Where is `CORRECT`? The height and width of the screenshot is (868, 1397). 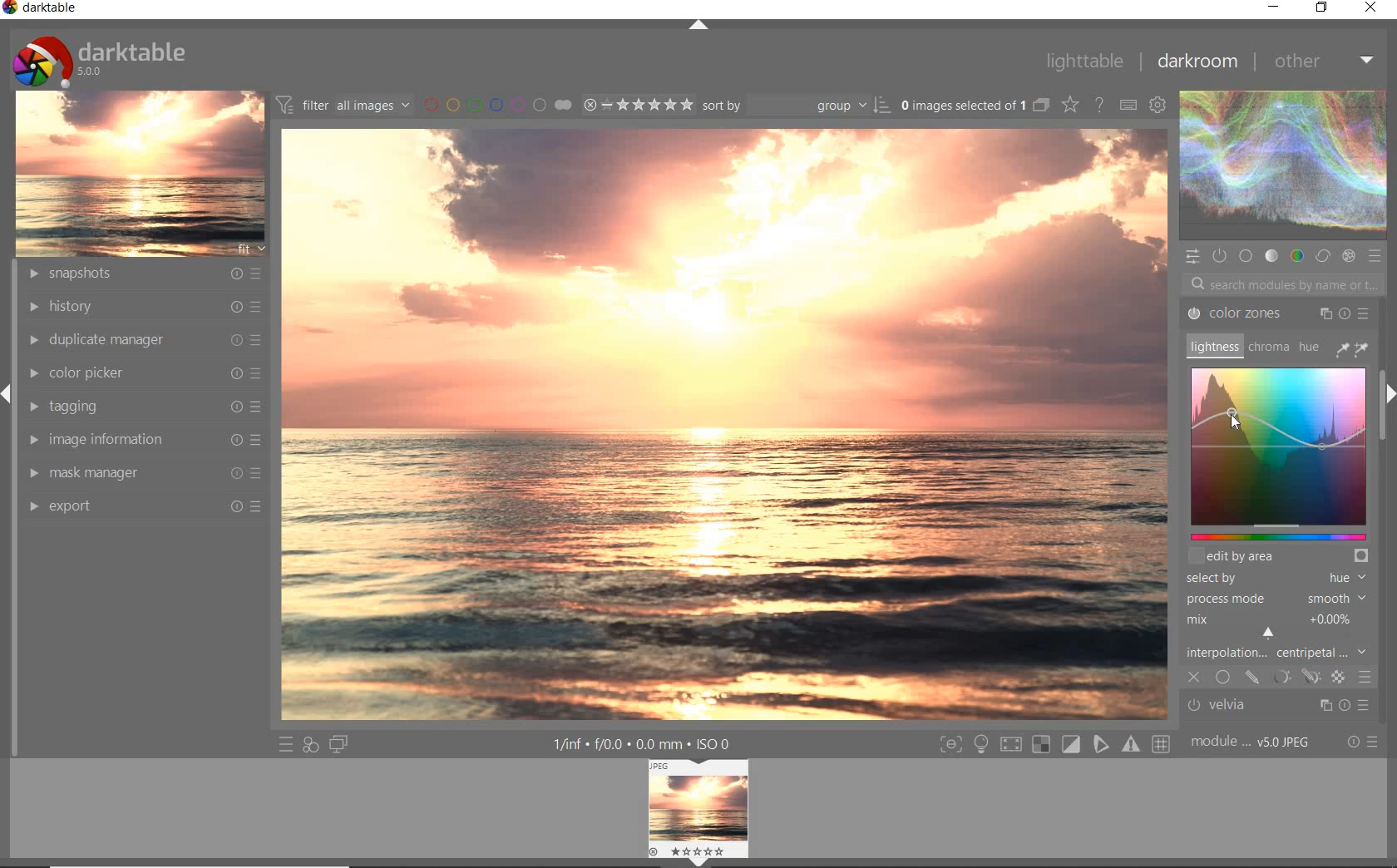
CORRECT is located at coordinates (1323, 257).